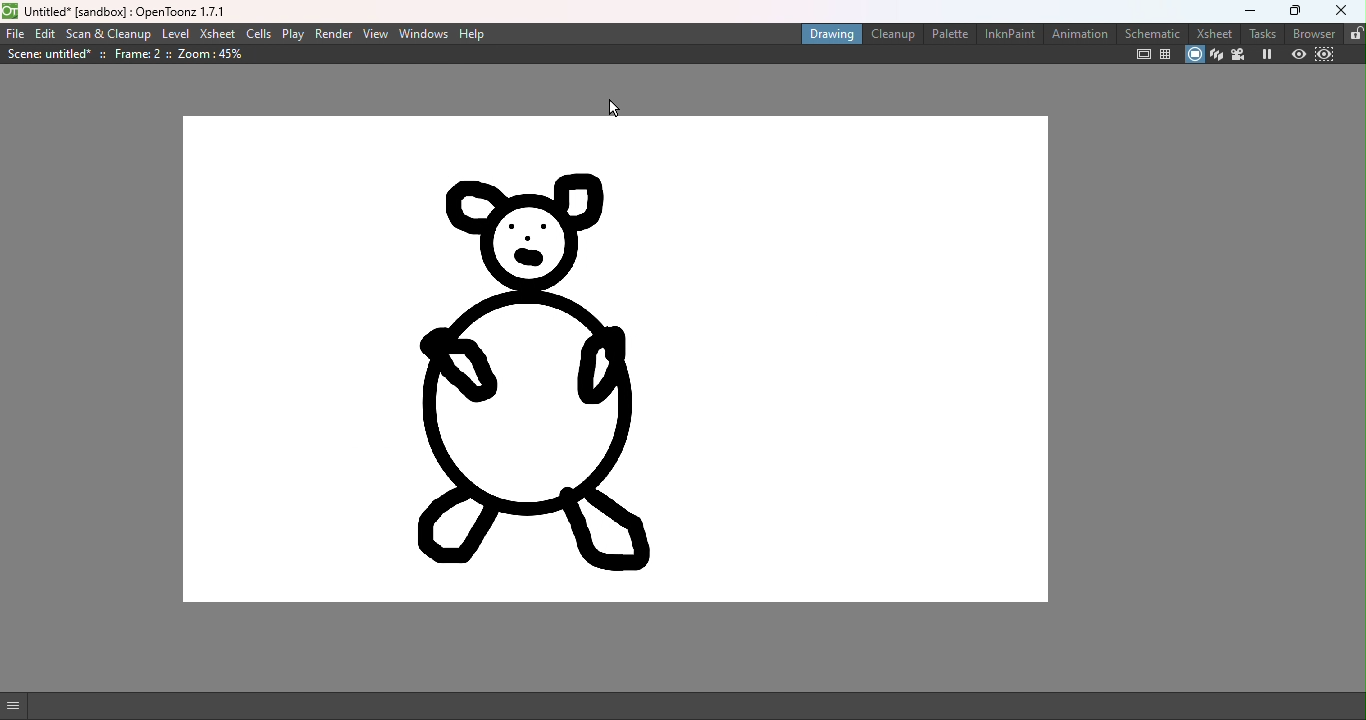  Describe the element at coordinates (1309, 34) in the screenshot. I see `browser` at that location.